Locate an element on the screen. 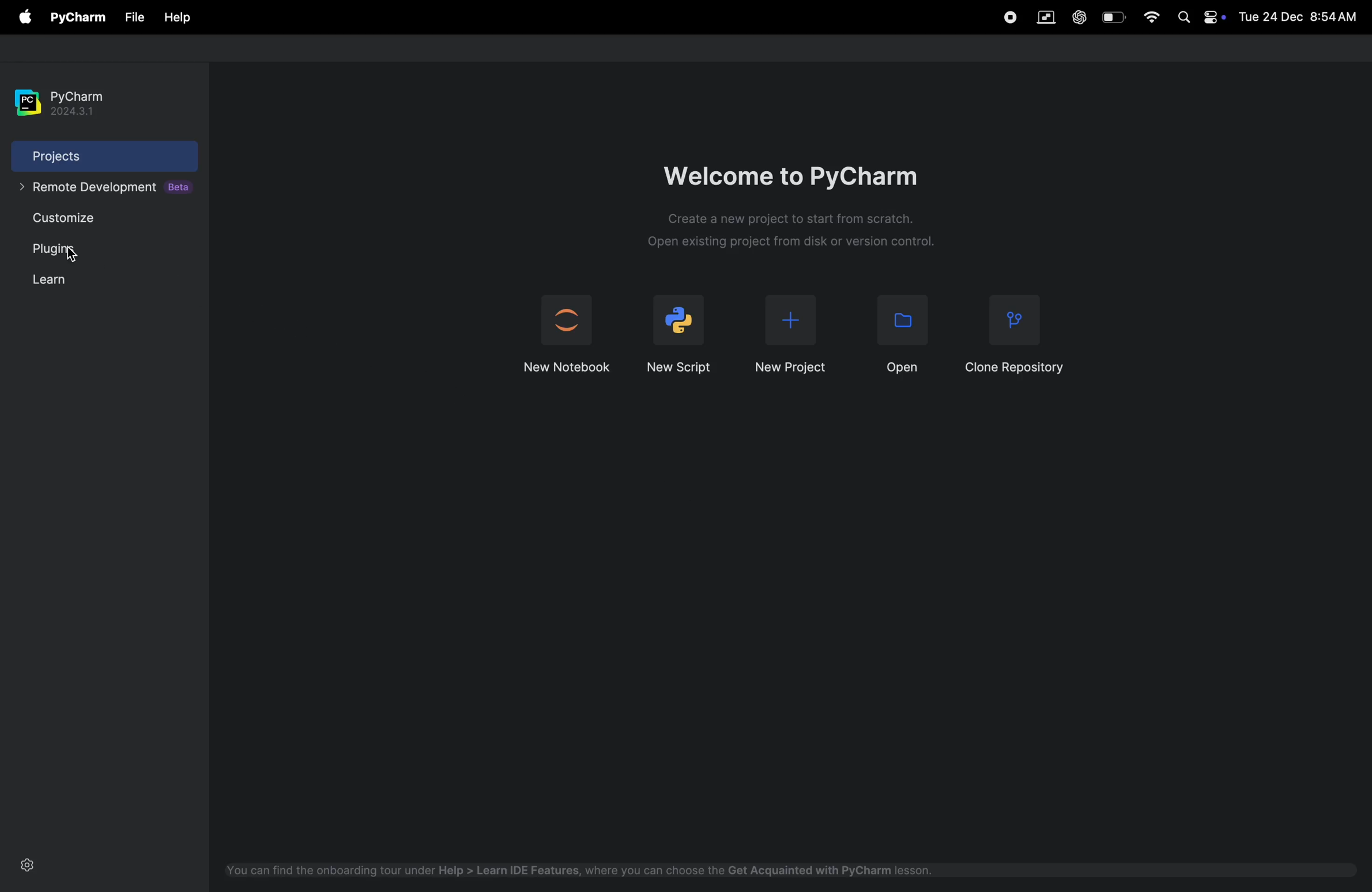 This screenshot has width=1372, height=892. open project is located at coordinates (902, 335).